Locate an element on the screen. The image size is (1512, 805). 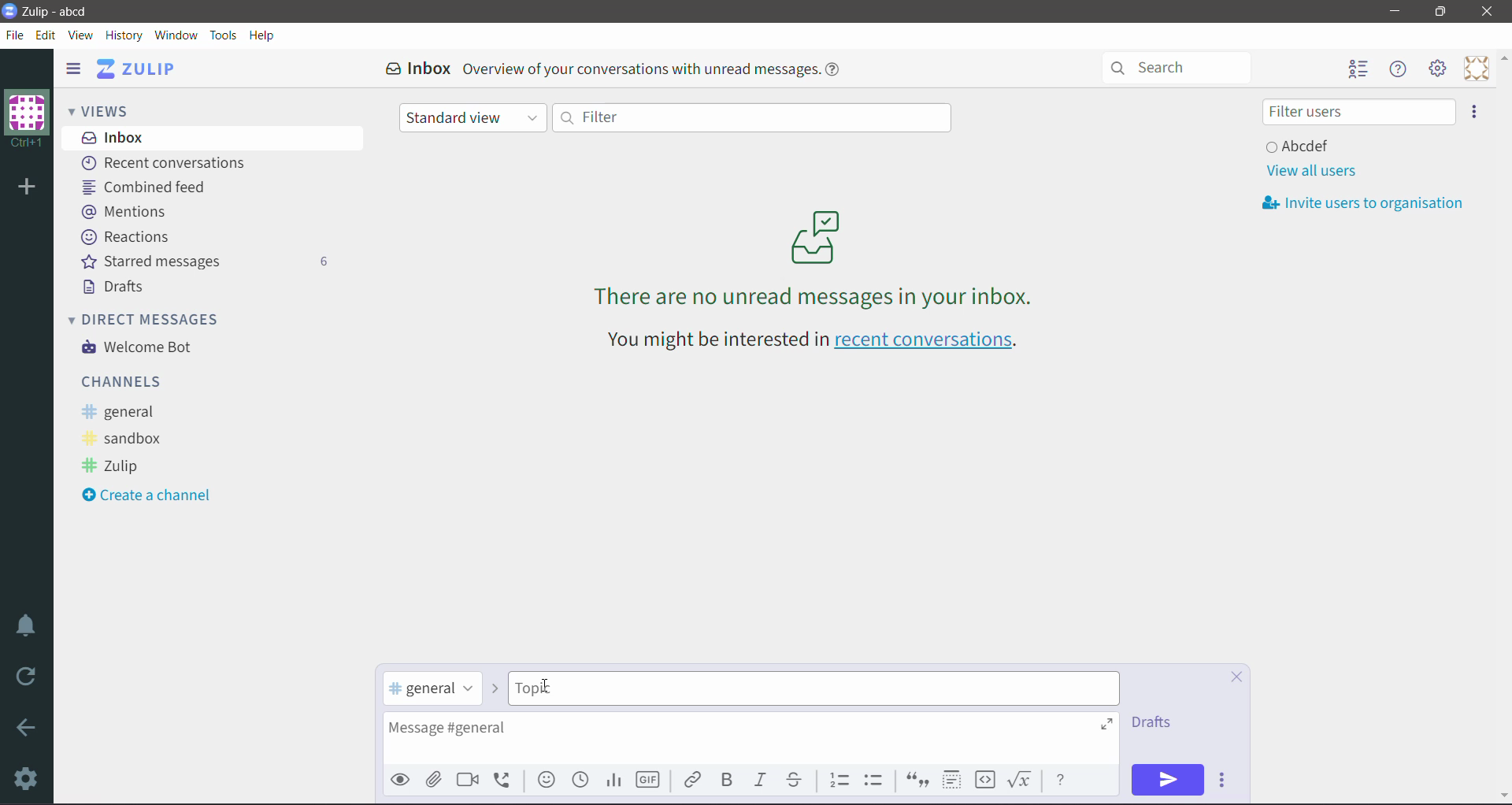
Edit is located at coordinates (46, 35).